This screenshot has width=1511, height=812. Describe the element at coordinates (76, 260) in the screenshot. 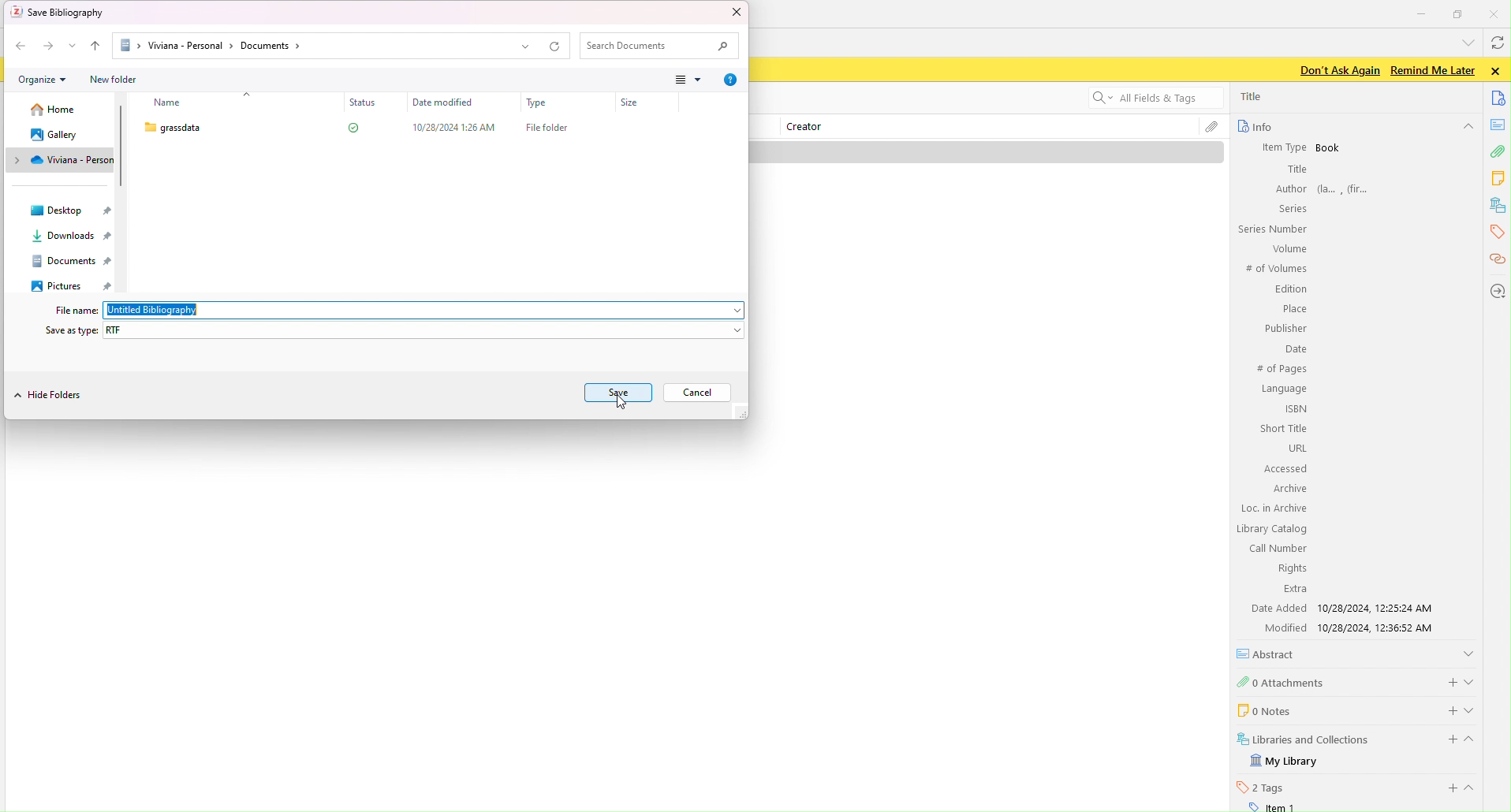

I see `Documents` at that location.